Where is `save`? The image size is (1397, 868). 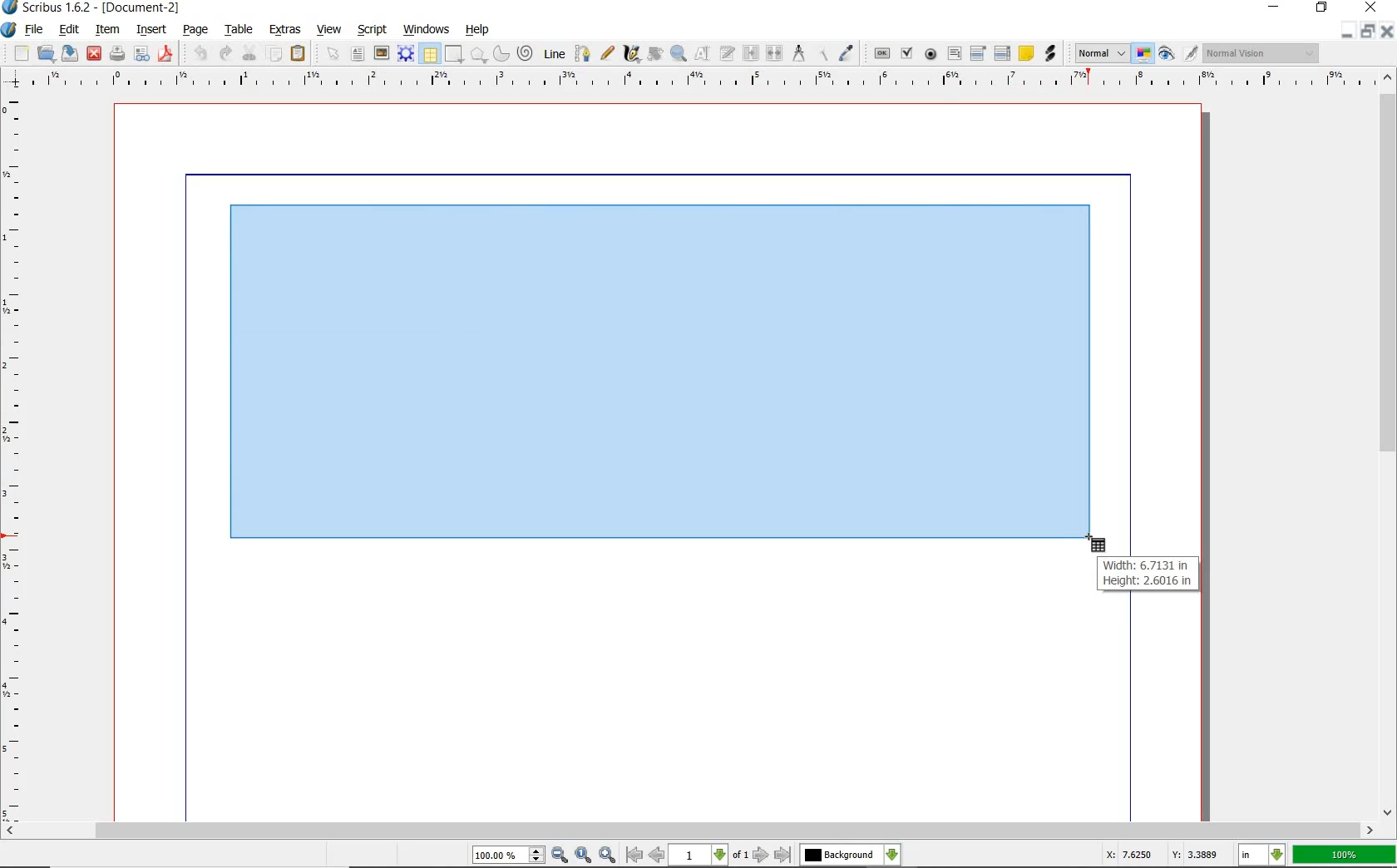 save is located at coordinates (69, 55).